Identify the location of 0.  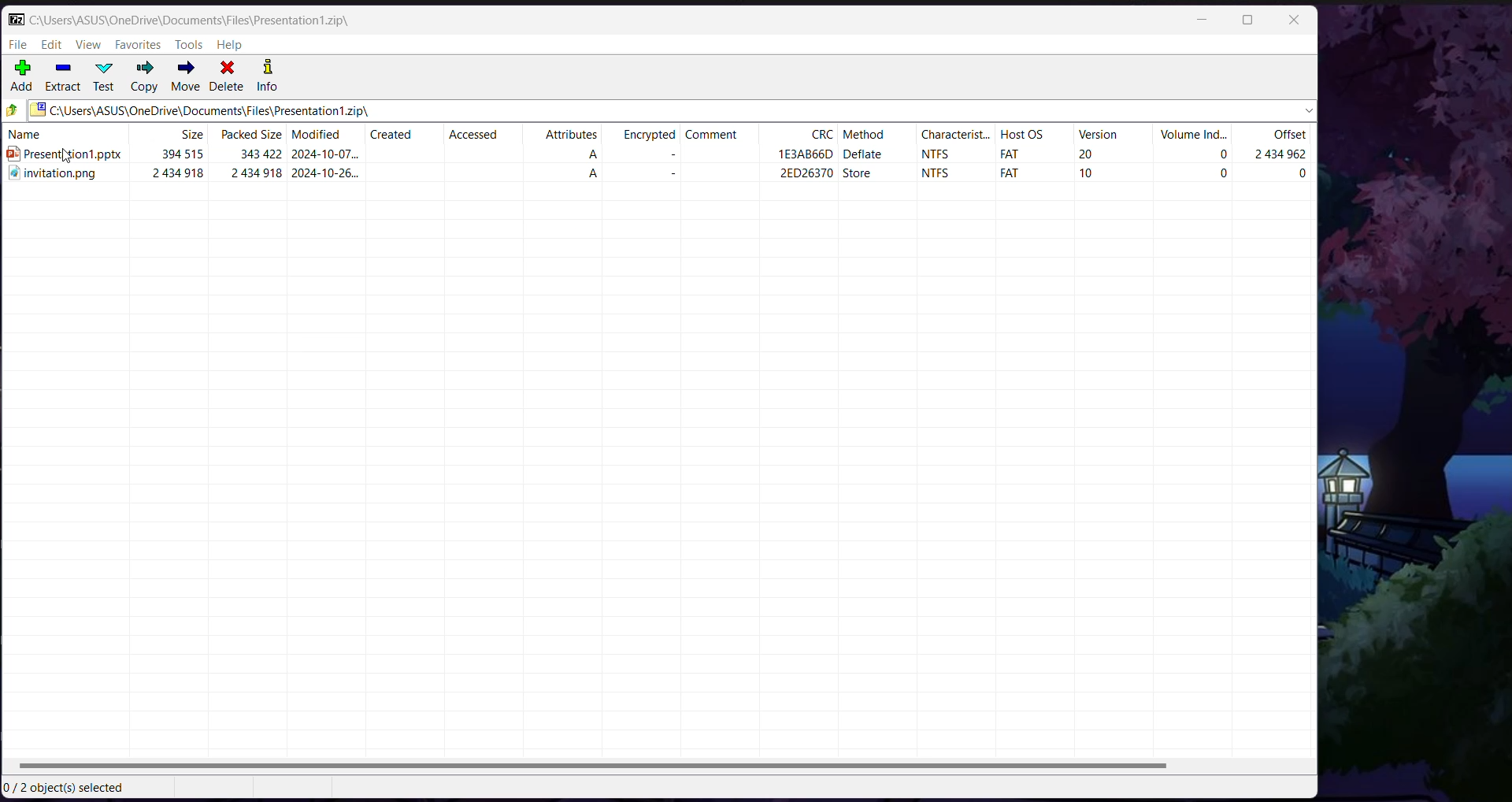
(1206, 157).